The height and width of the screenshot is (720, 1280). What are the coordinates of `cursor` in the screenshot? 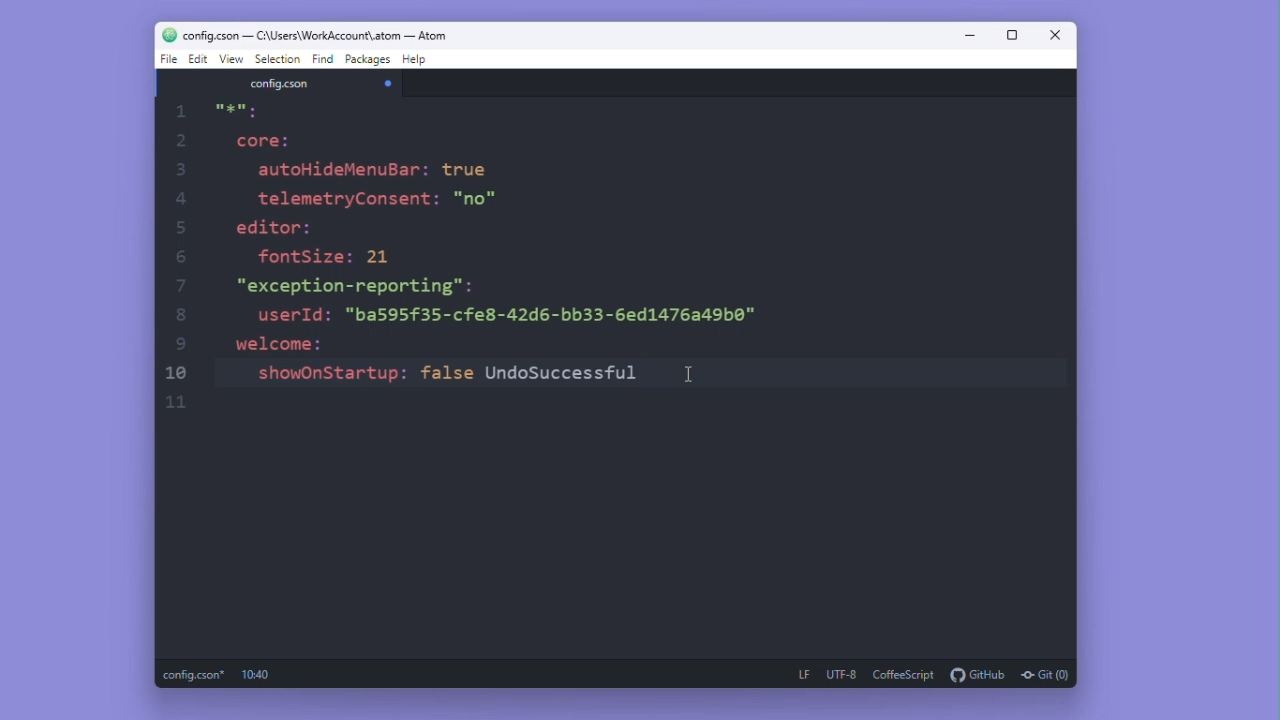 It's located at (693, 373).